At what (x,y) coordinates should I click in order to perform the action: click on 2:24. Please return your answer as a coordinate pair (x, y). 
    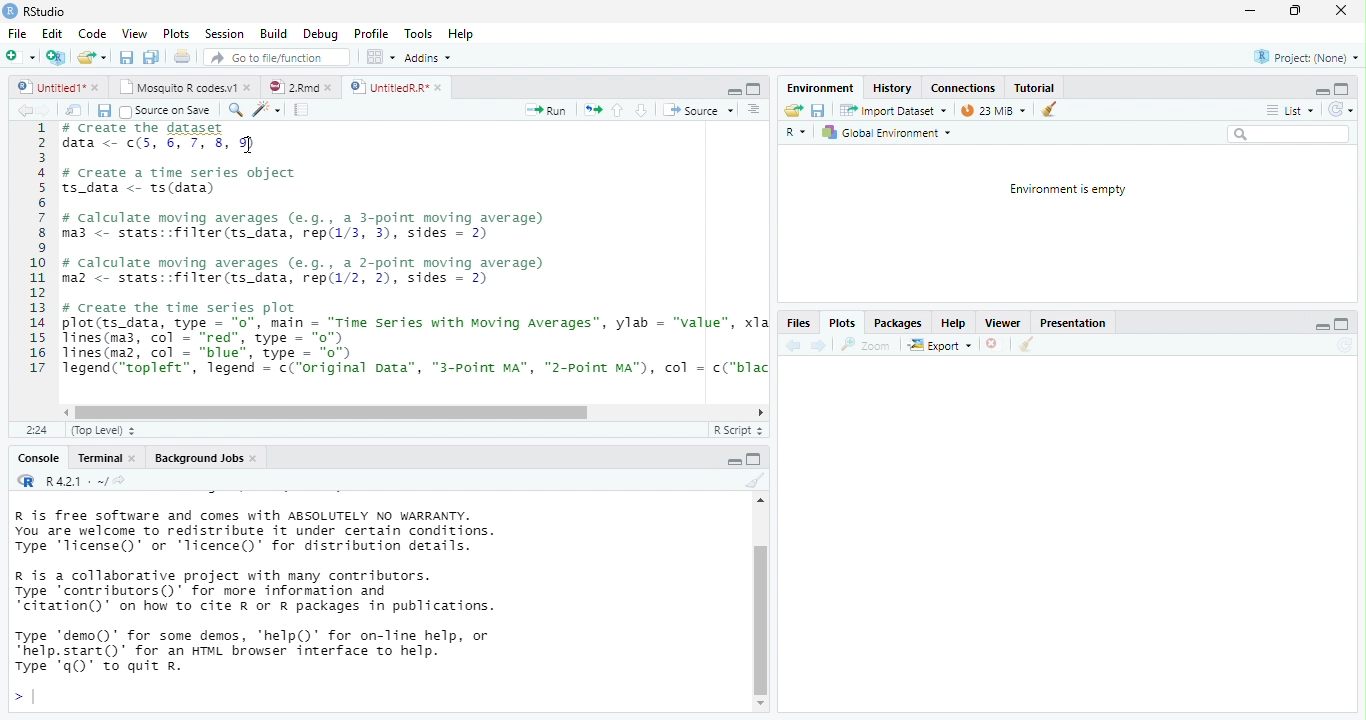
    Looking at the image, I should click on (37, 431).